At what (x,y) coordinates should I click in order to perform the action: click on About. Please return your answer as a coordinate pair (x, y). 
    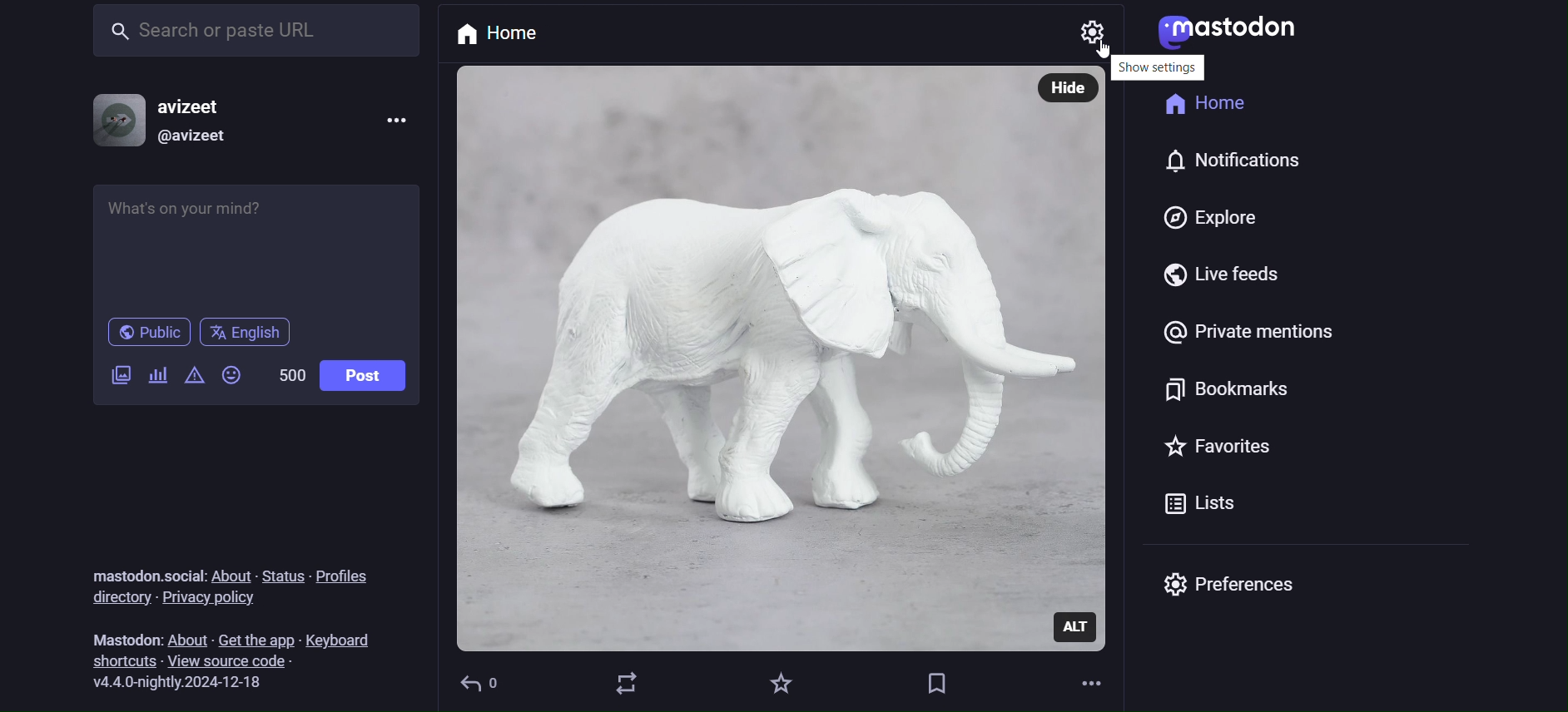
    Looking at the image, I should click on (185, 638).